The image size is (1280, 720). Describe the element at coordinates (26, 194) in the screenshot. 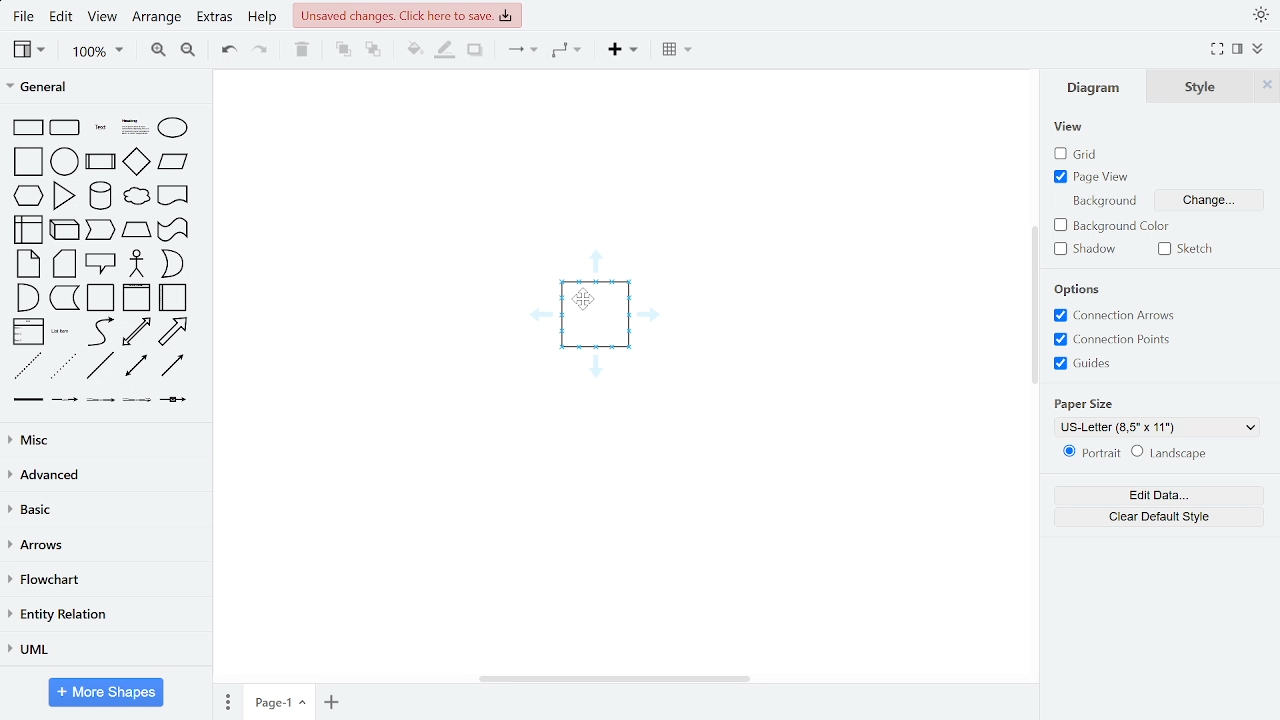

I see `general shapes` at that location.